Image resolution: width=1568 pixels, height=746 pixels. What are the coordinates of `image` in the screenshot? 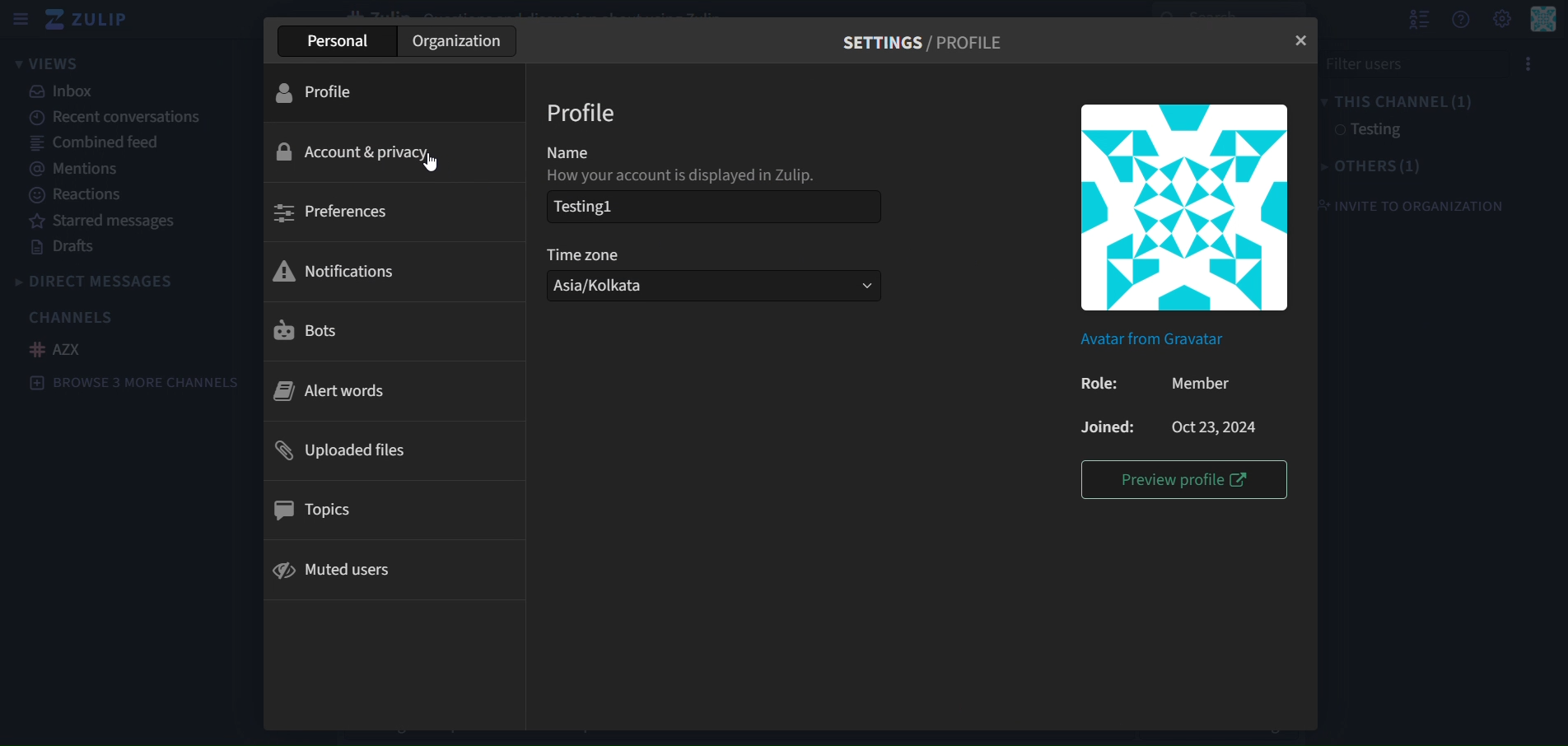 It's located at (1184, 206).